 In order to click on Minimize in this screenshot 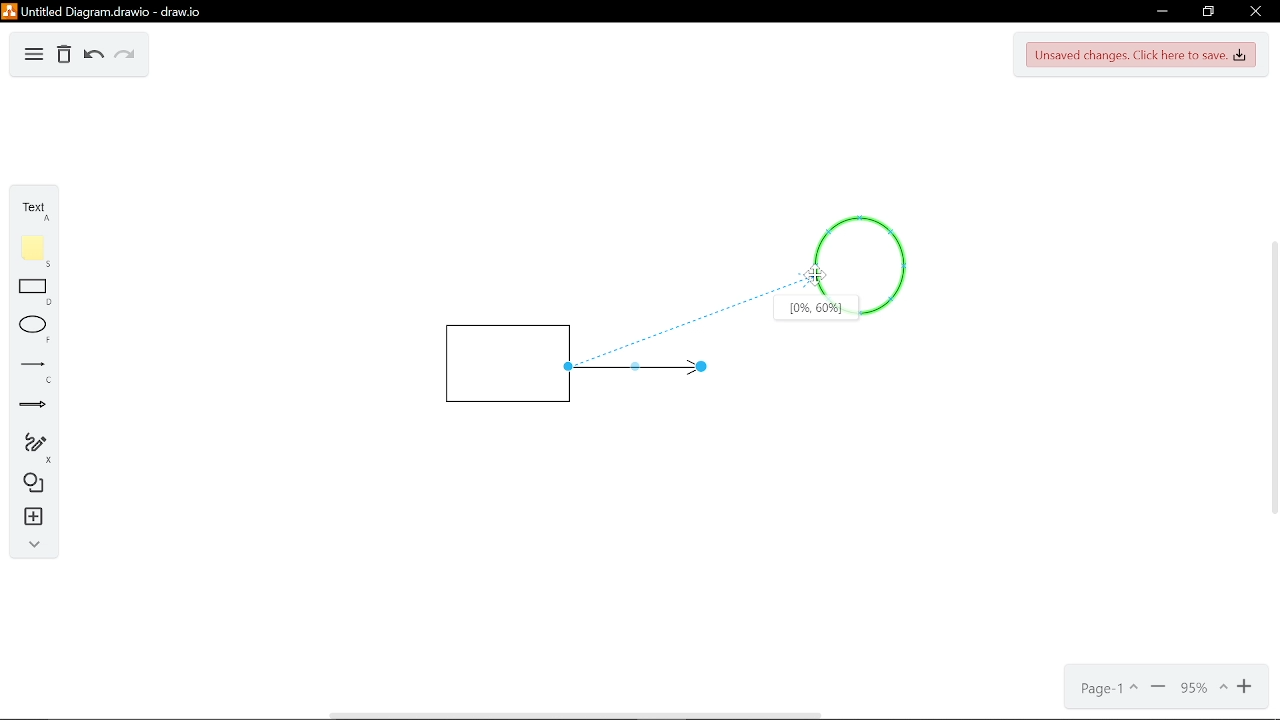, I will do `click(1162, 11)`.